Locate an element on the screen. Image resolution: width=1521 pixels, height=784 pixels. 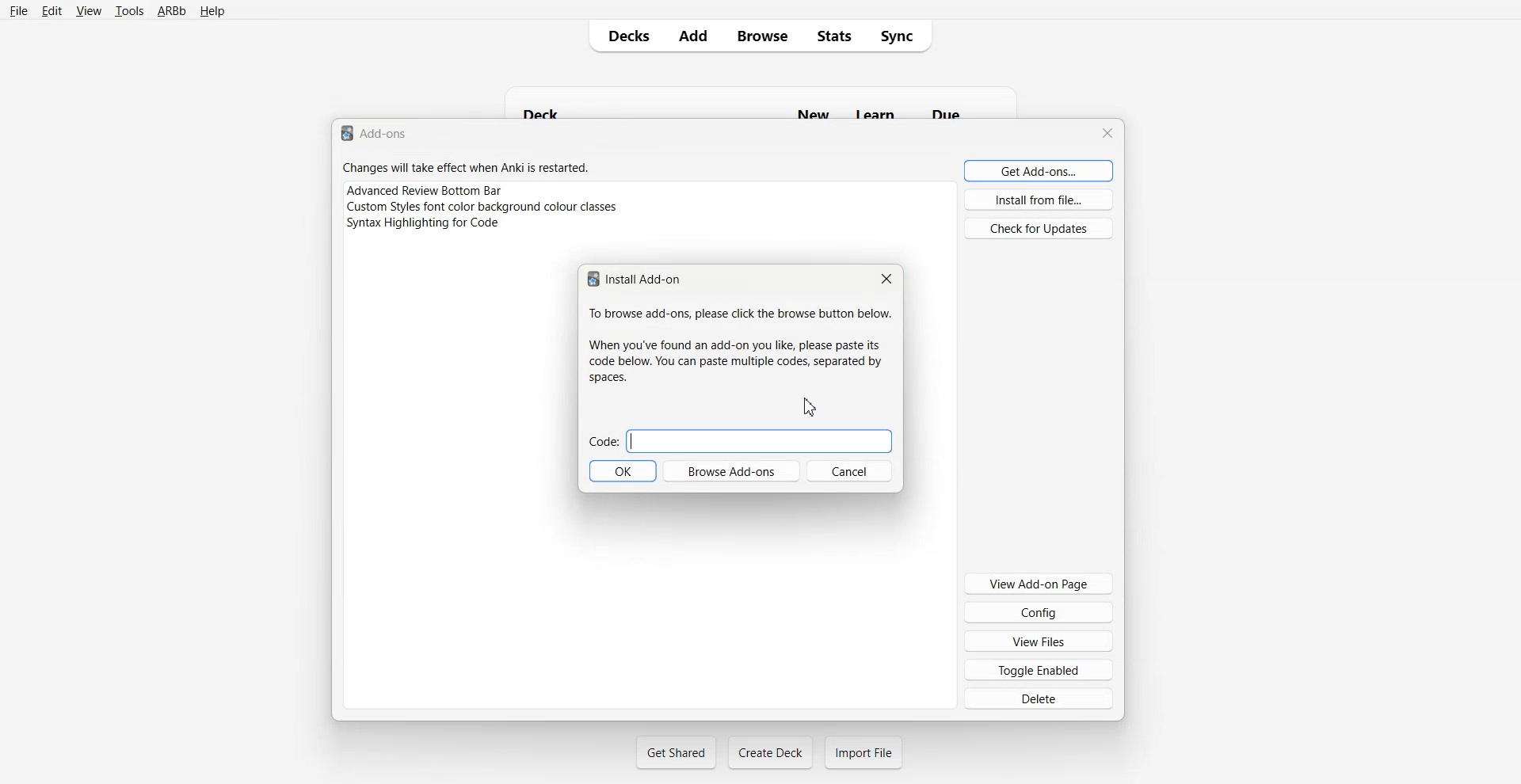
Toggle Enabled is located at coordinates (1039, 668).